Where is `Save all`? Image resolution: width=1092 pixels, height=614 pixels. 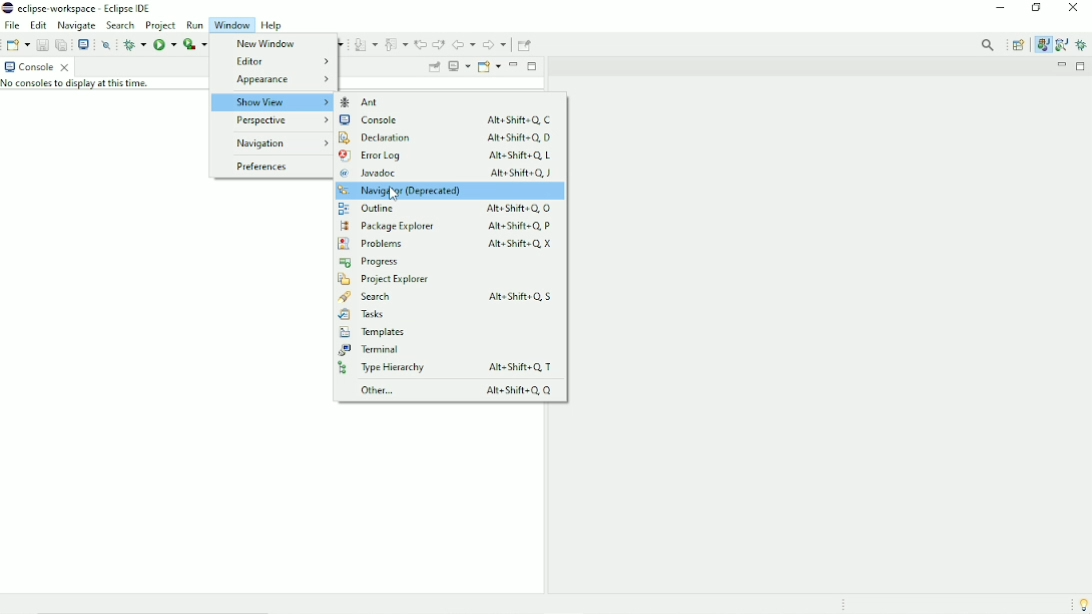
Save all is located at coordinates (60, 44).